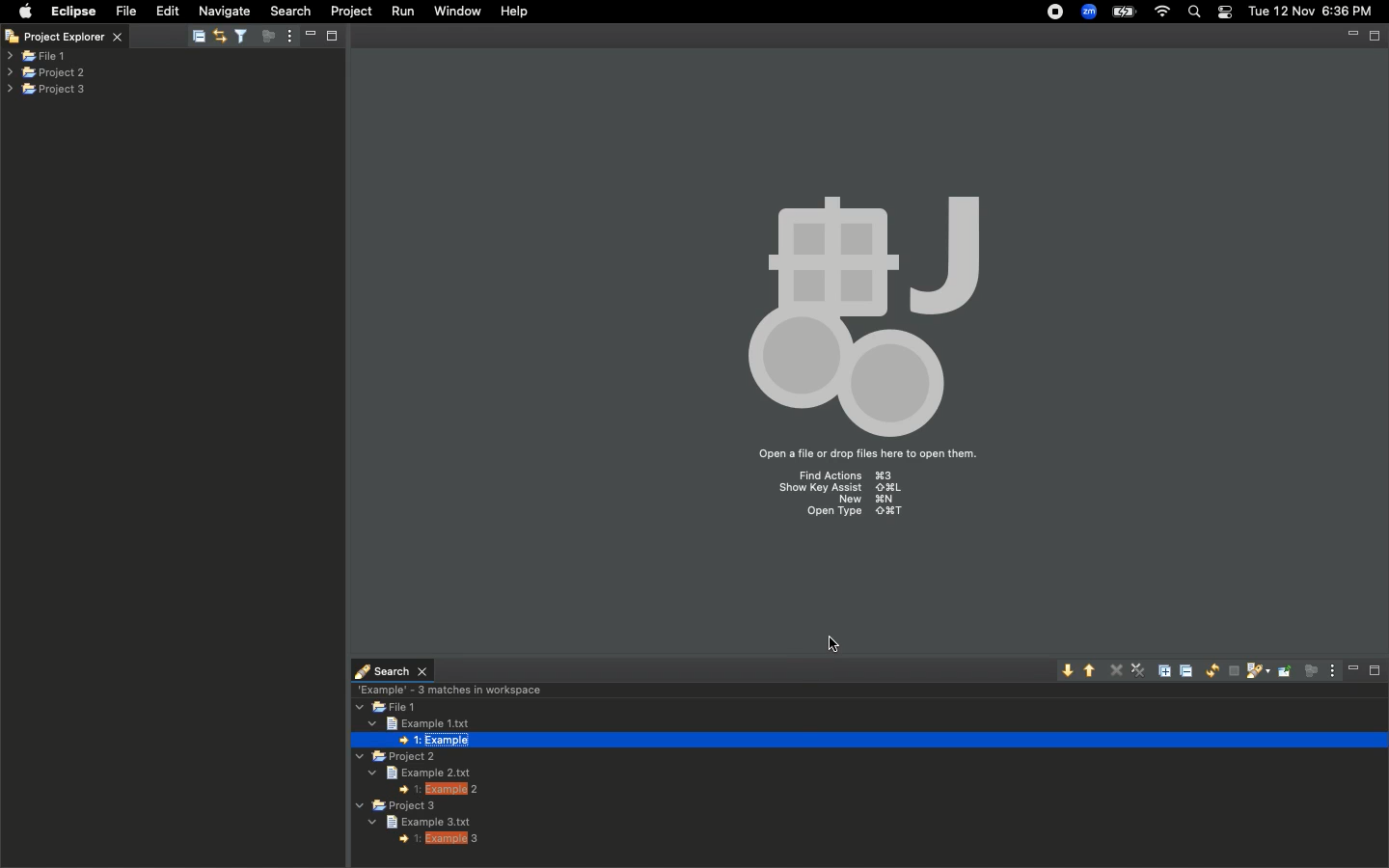  Describe the element at coordinates (400, 806) in the screenshot. I see `Project 3` at that location.